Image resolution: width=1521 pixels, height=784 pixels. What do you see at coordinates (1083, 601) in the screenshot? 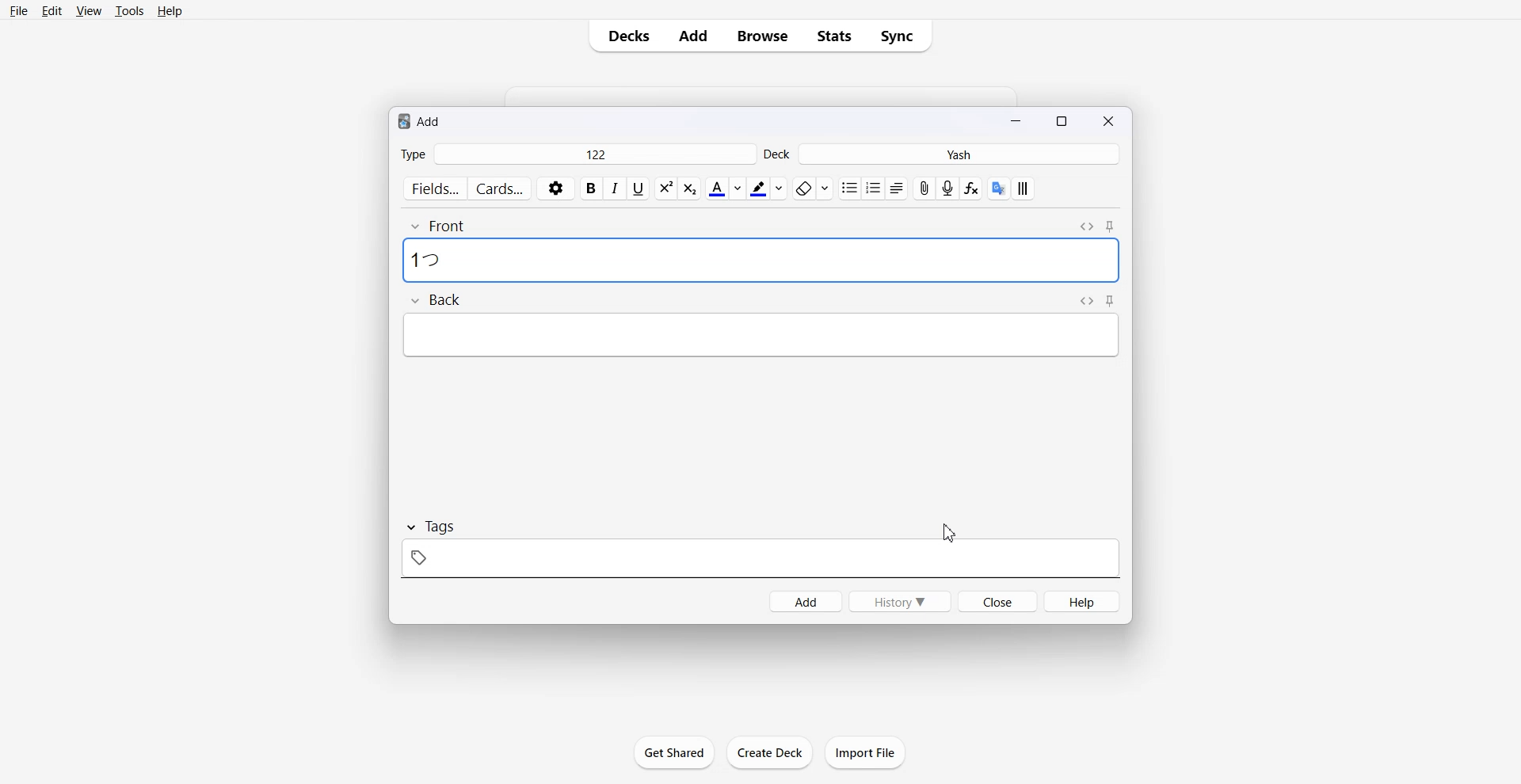
I see `Help` at bounding box center [1083, 601].